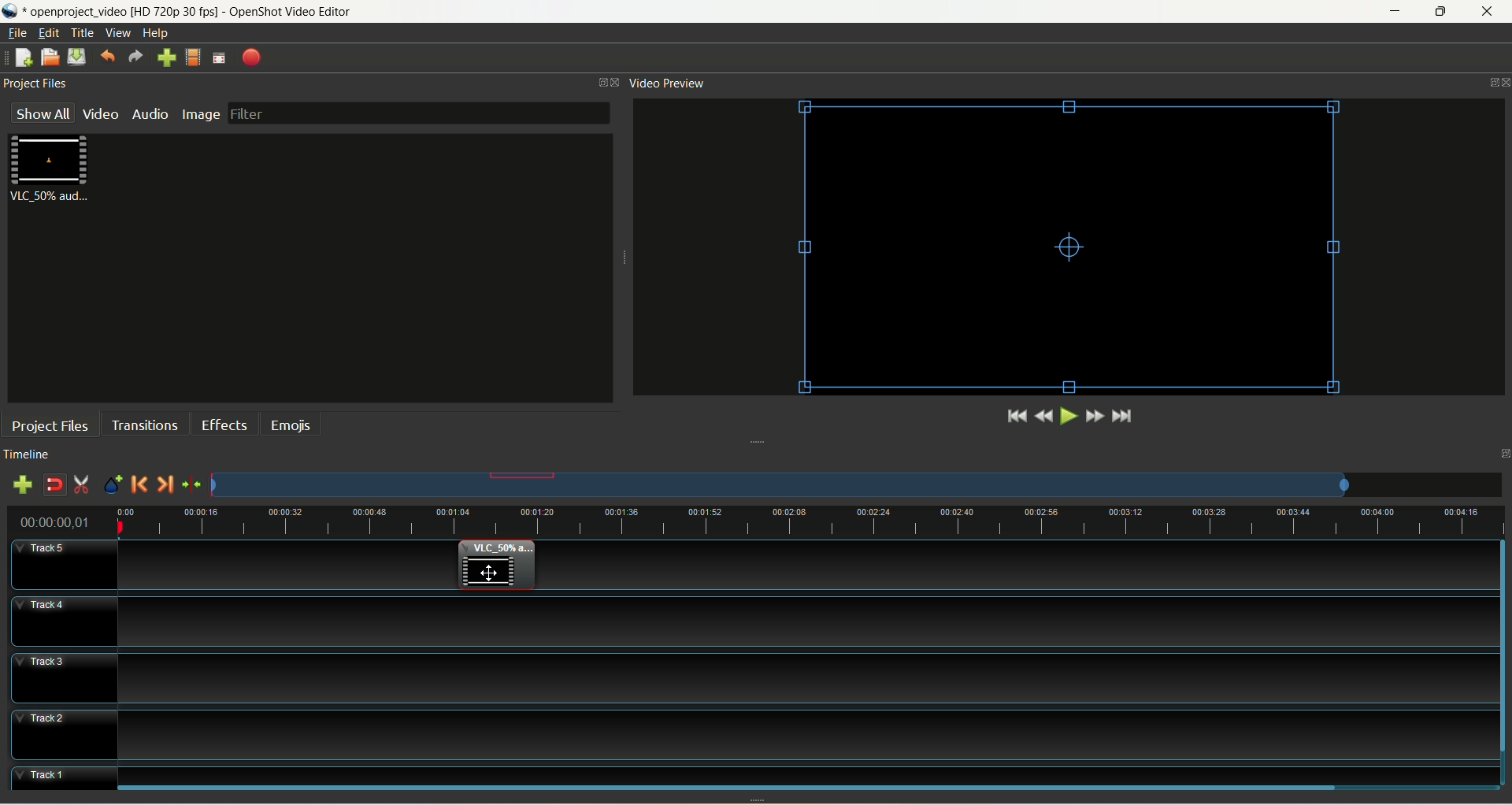 The image size is (1512, 805). What do you see at coordinates (112, 486) in the screenshot?
I see `add marker` at bounding box center [112, 486].